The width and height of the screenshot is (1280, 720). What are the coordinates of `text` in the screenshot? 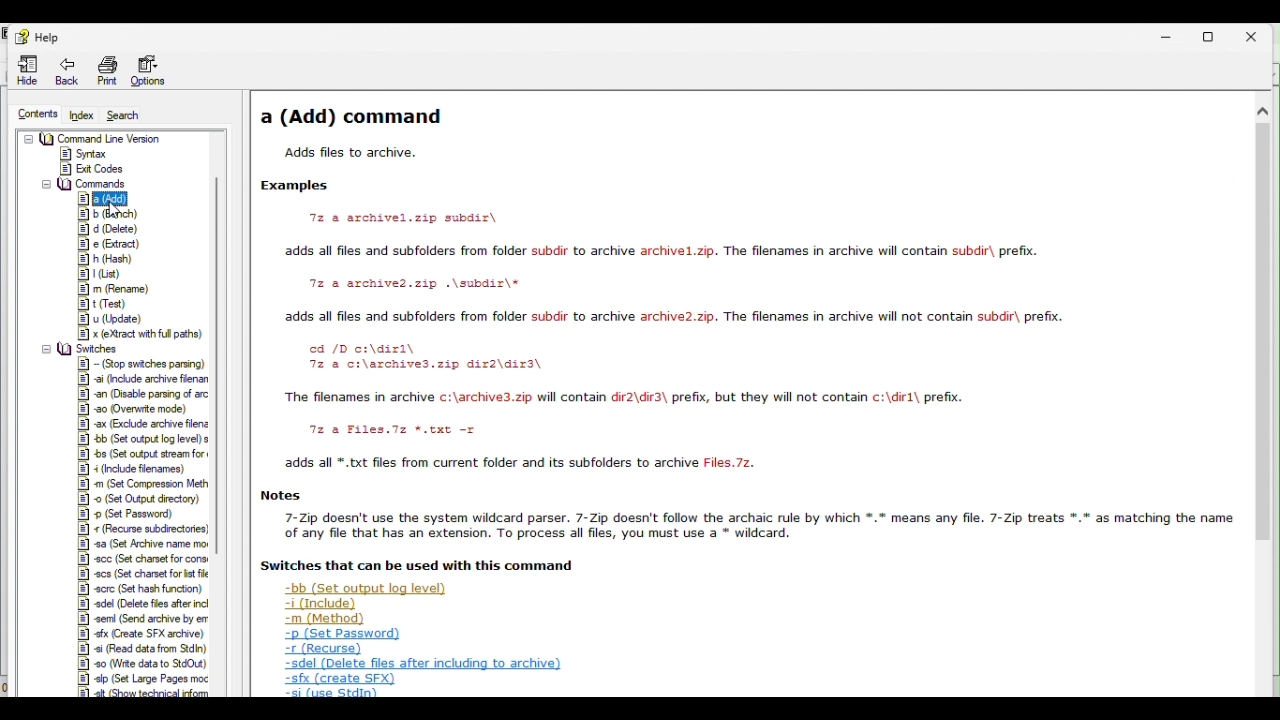 It's located at (620, 398).